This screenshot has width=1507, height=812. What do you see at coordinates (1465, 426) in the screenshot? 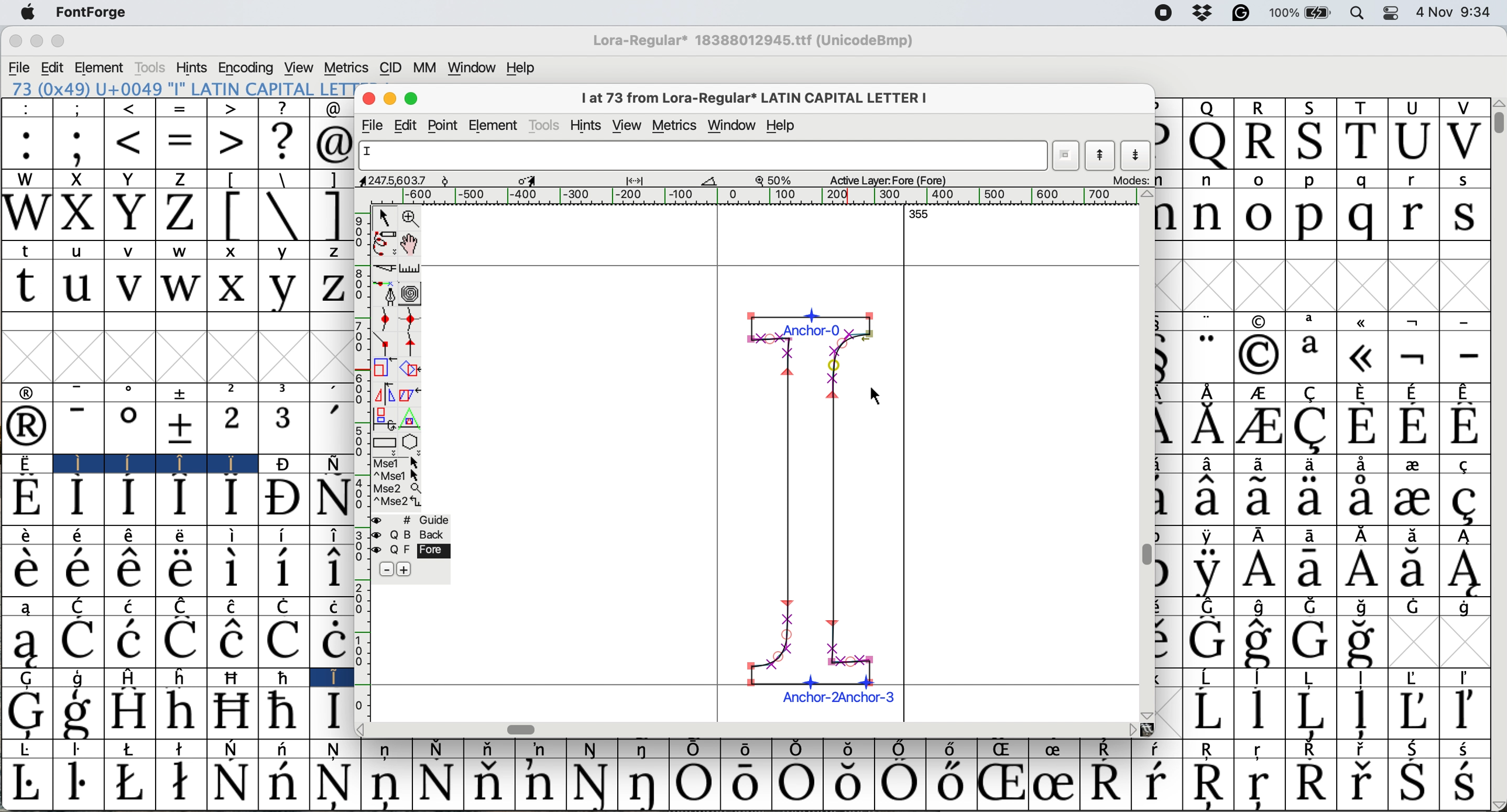
I see `Symbol` at bounding box center [1465, 426].